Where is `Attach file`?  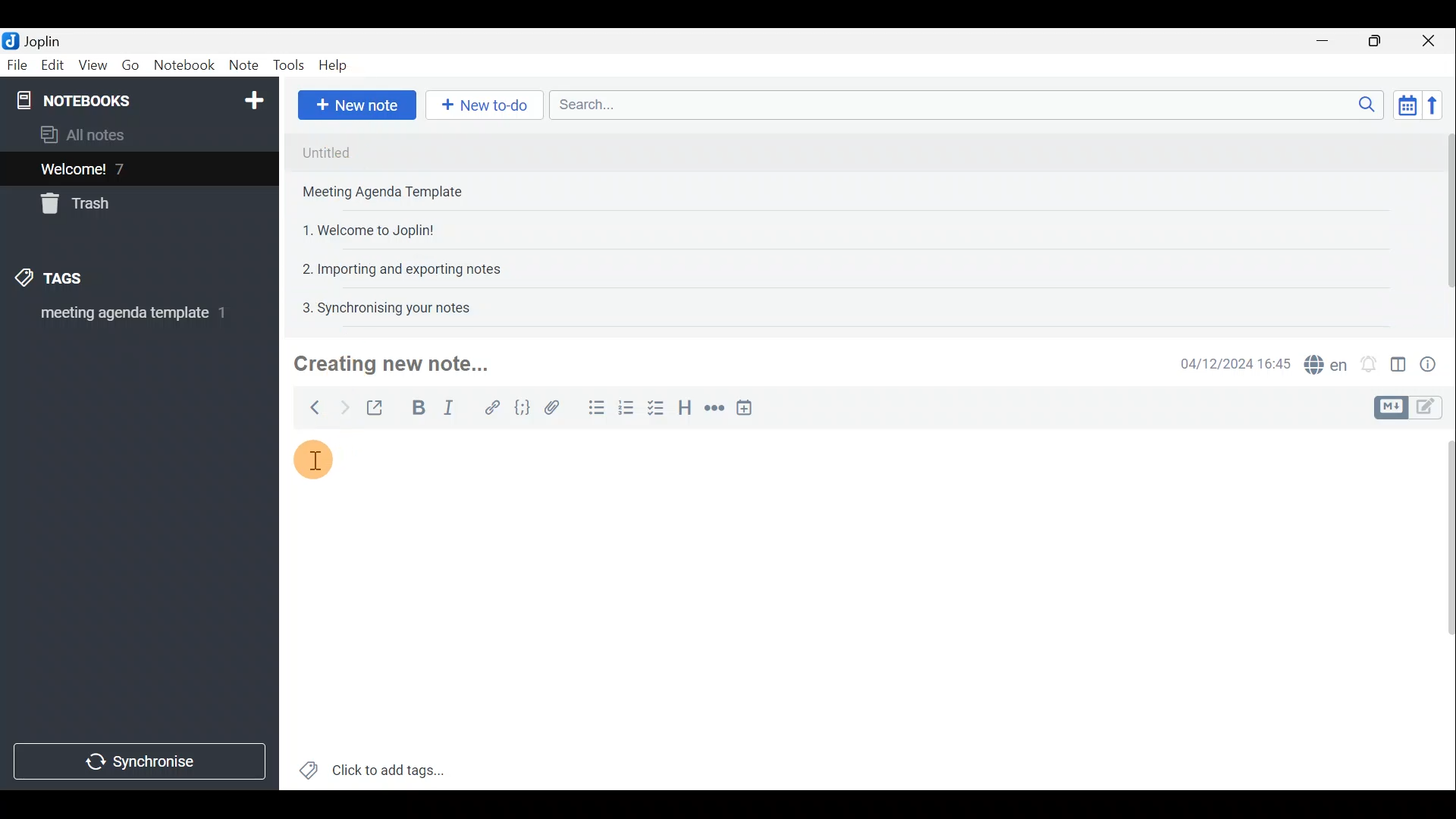
Attach file is located at coordinates (552, 406).